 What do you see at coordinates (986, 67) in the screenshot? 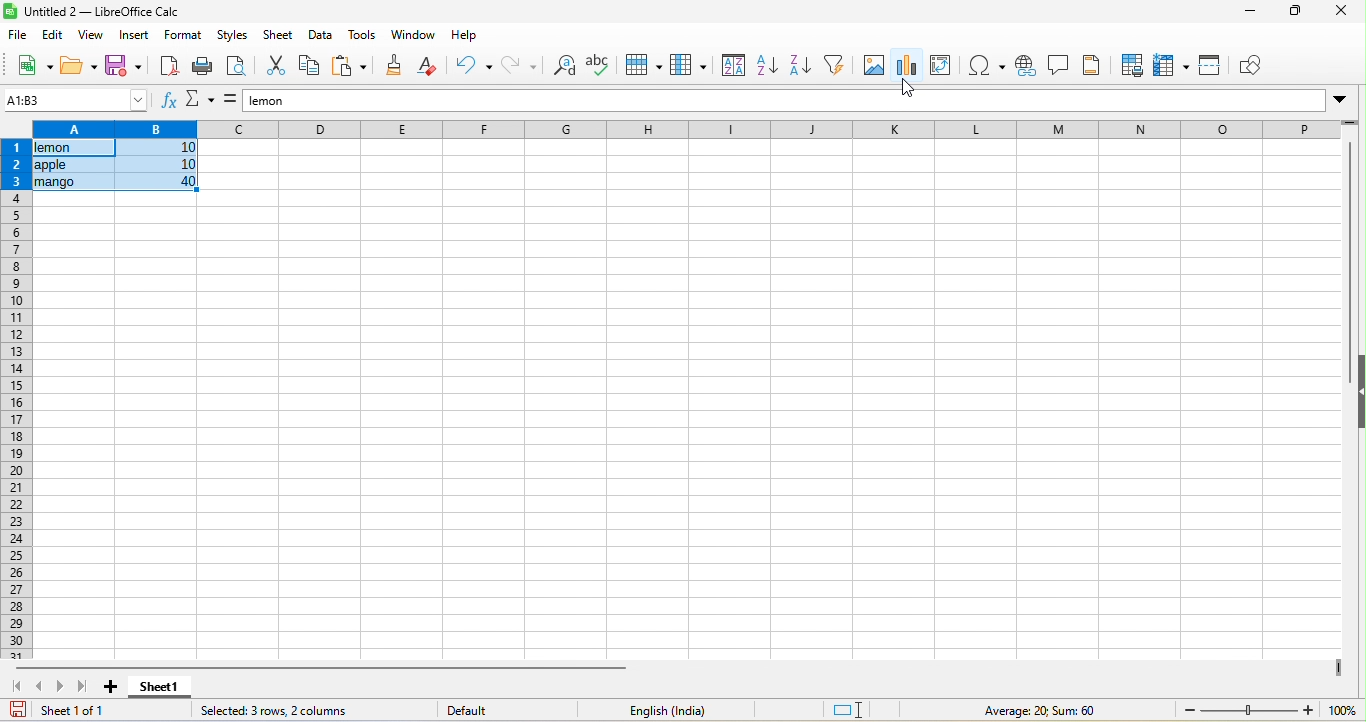
I see `special character` at bounding box center [986, 67].